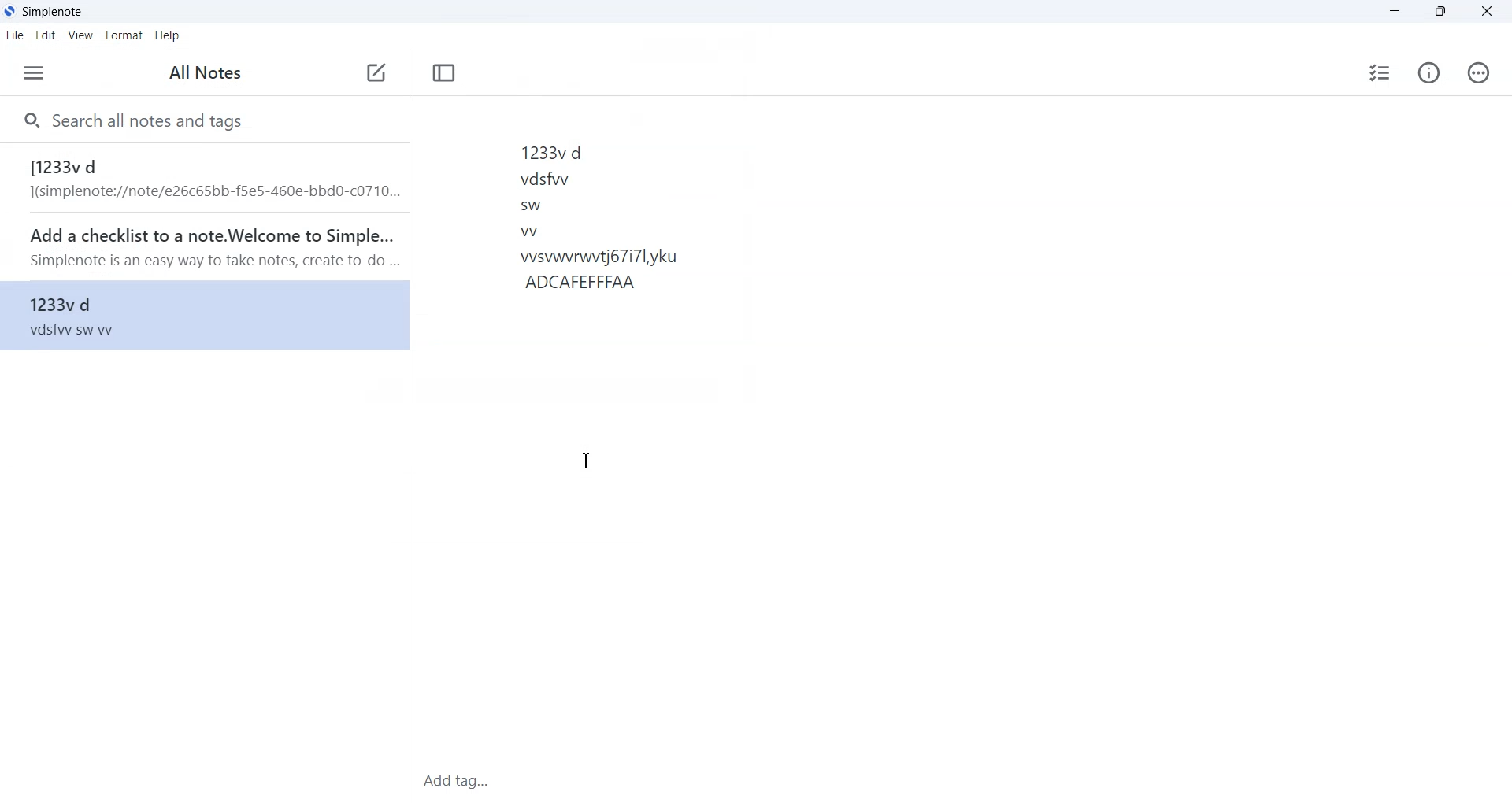  Describe the element at coordinates (1429, 72) in the screenshot. I see `Info` at that location.